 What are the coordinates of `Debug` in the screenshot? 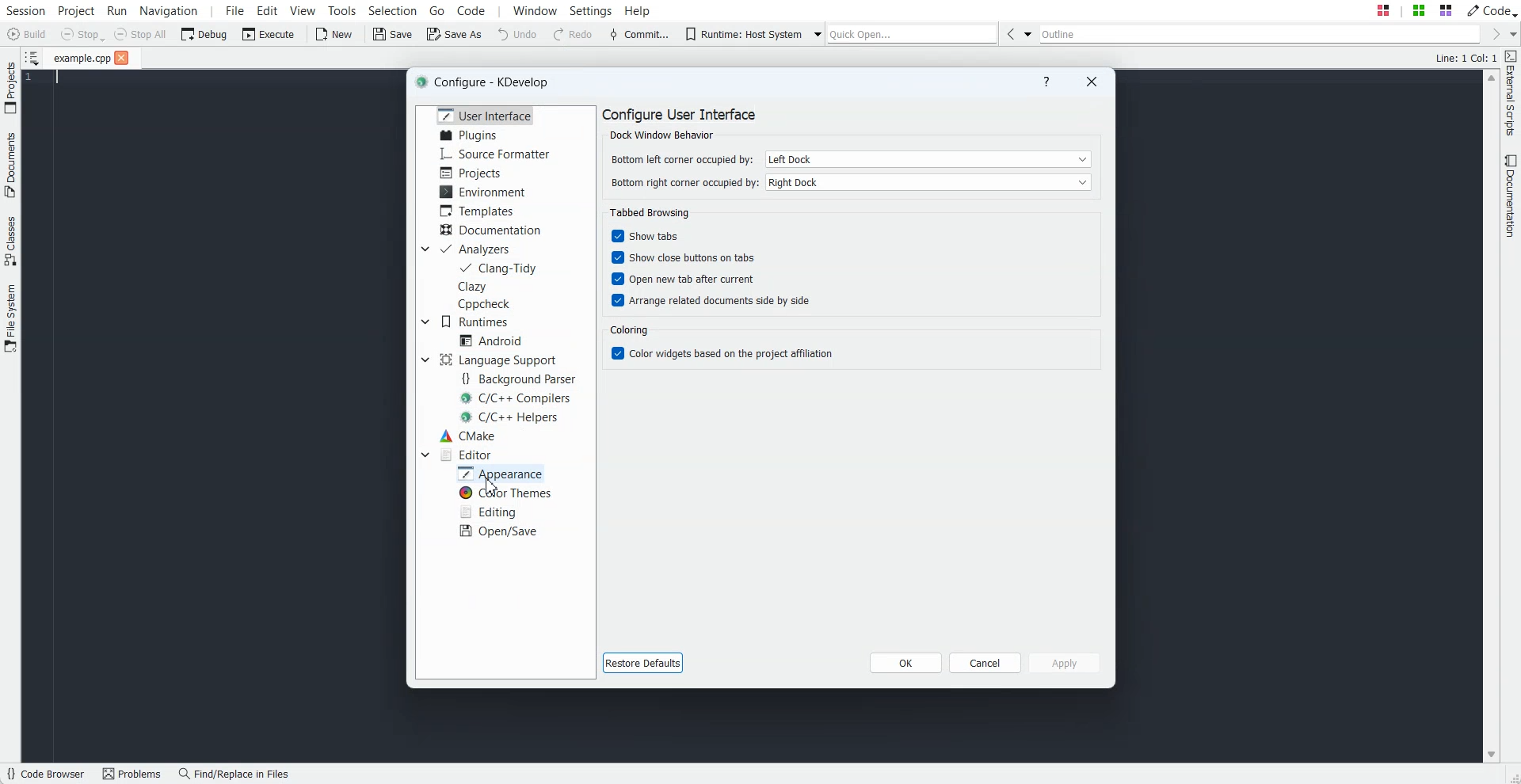 It's located at (204, 34).